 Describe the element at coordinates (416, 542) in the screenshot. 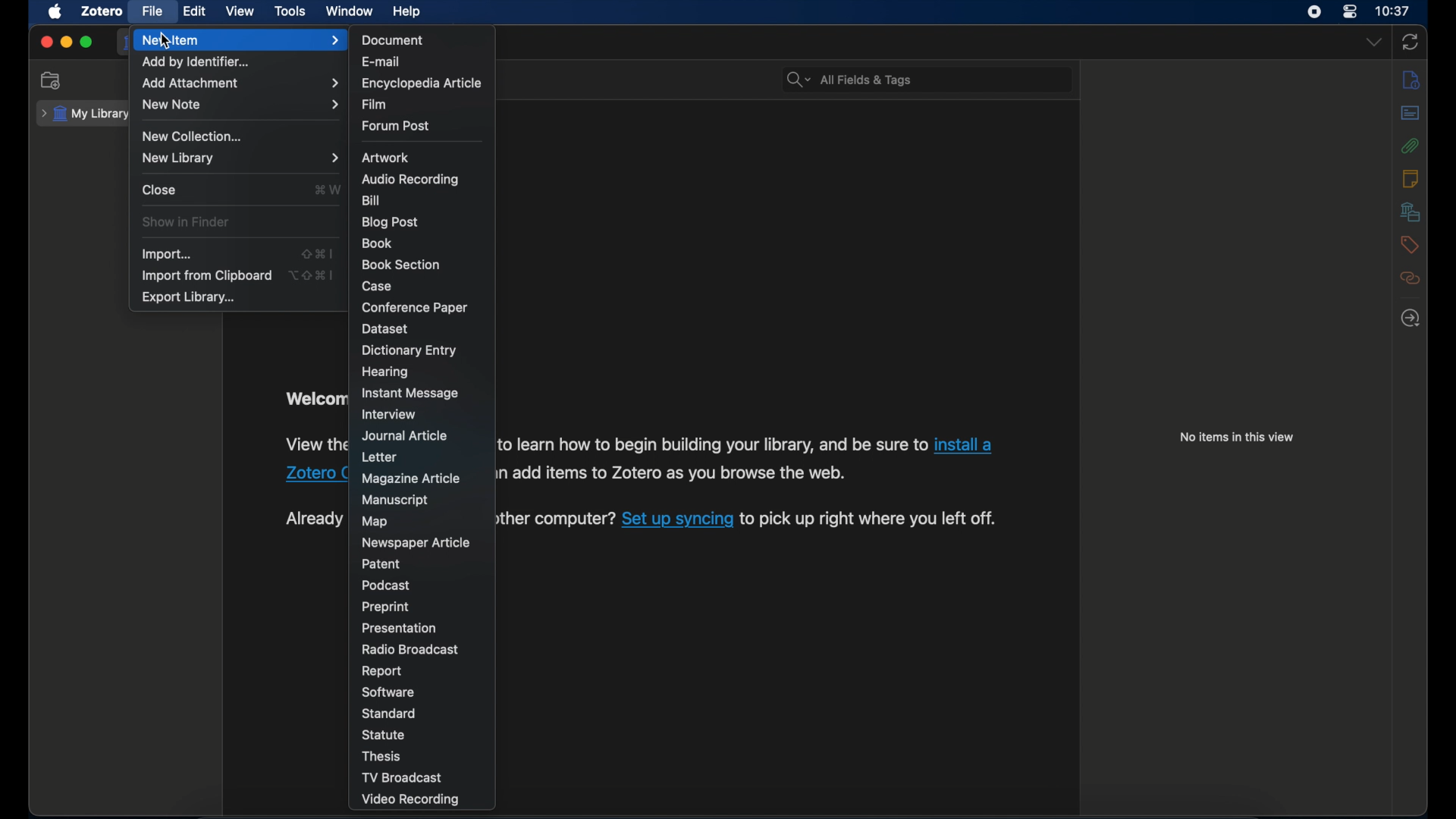

I see `newspaper article` at that location.